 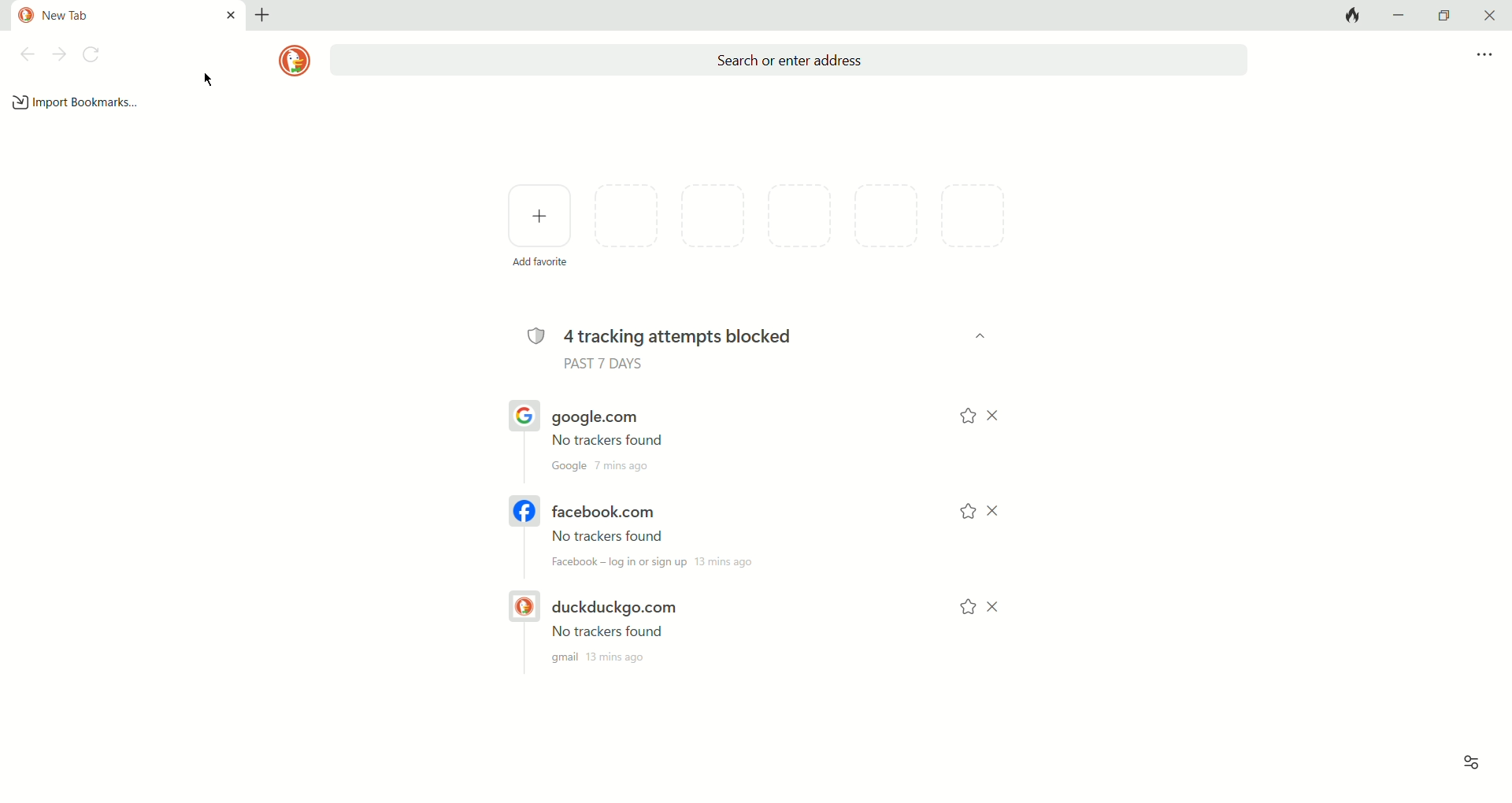 I want to click on DUCKDUCKGO.COM URL, so click(x=636, y=628).